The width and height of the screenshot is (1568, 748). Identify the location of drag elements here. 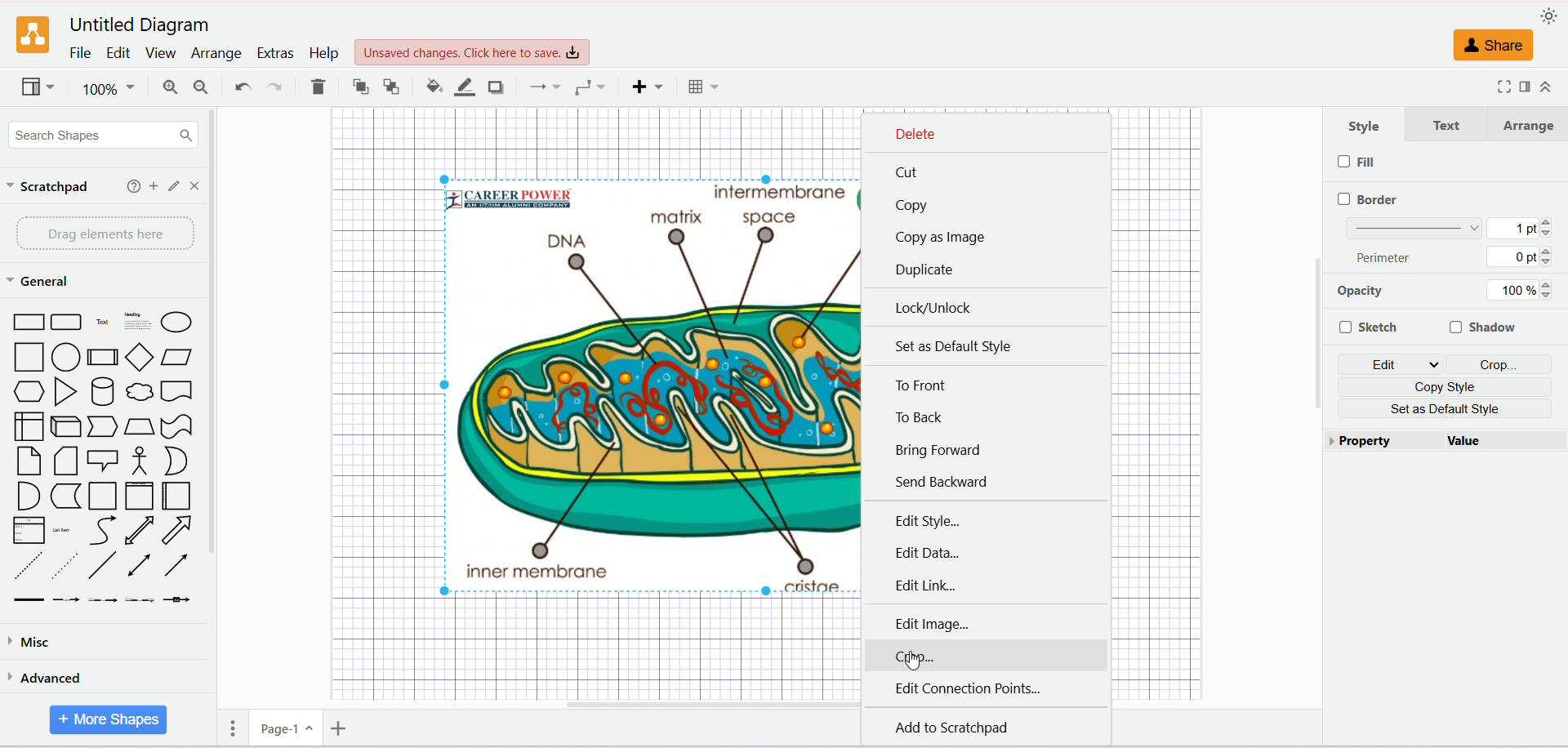
(100, 232).